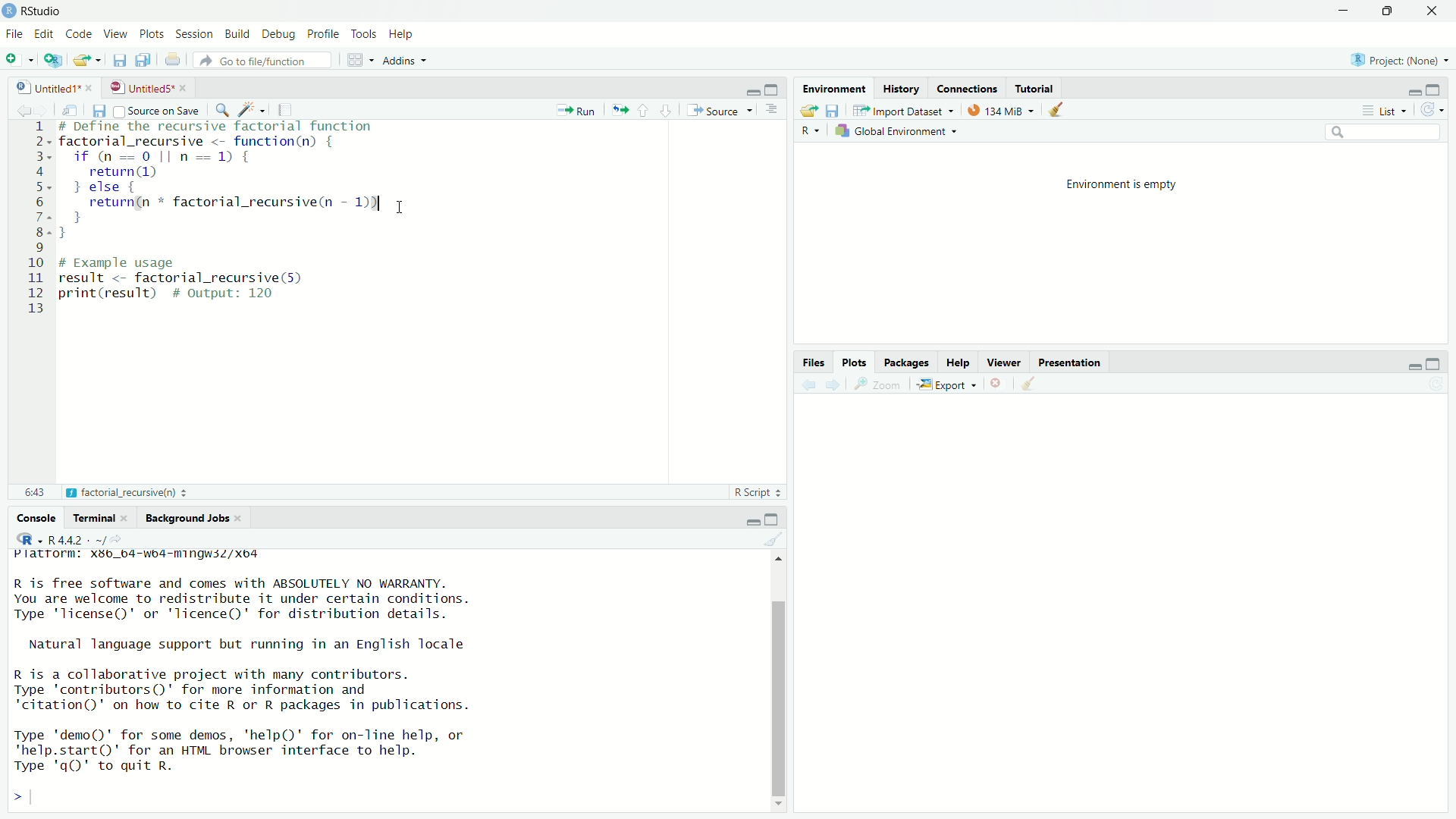  What do you see at coordinates (811, 131) in the screenshot?
I see `R` at bounding box center [811, 131].